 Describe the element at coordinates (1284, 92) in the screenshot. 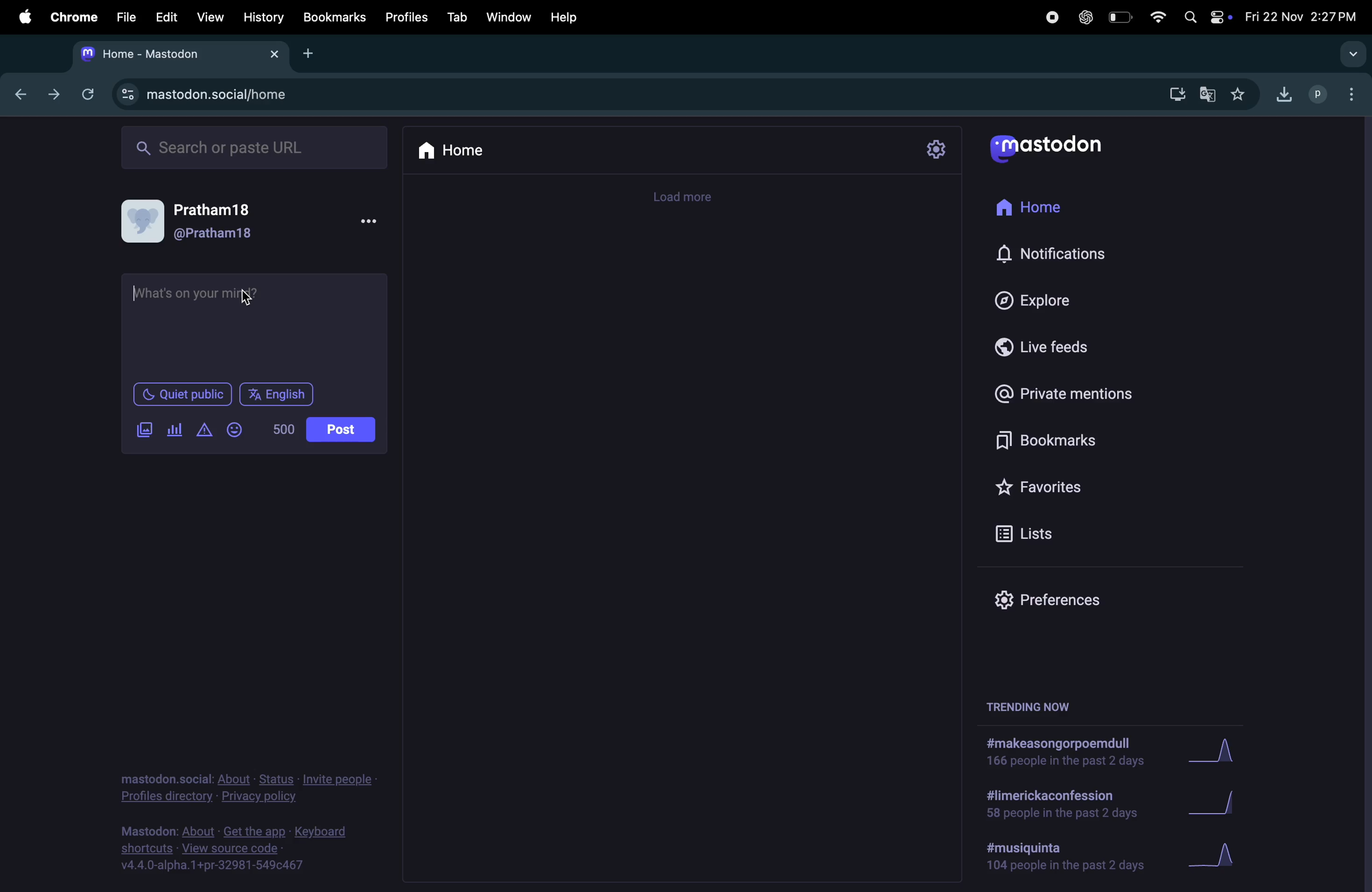

I see `downloads` at that location.